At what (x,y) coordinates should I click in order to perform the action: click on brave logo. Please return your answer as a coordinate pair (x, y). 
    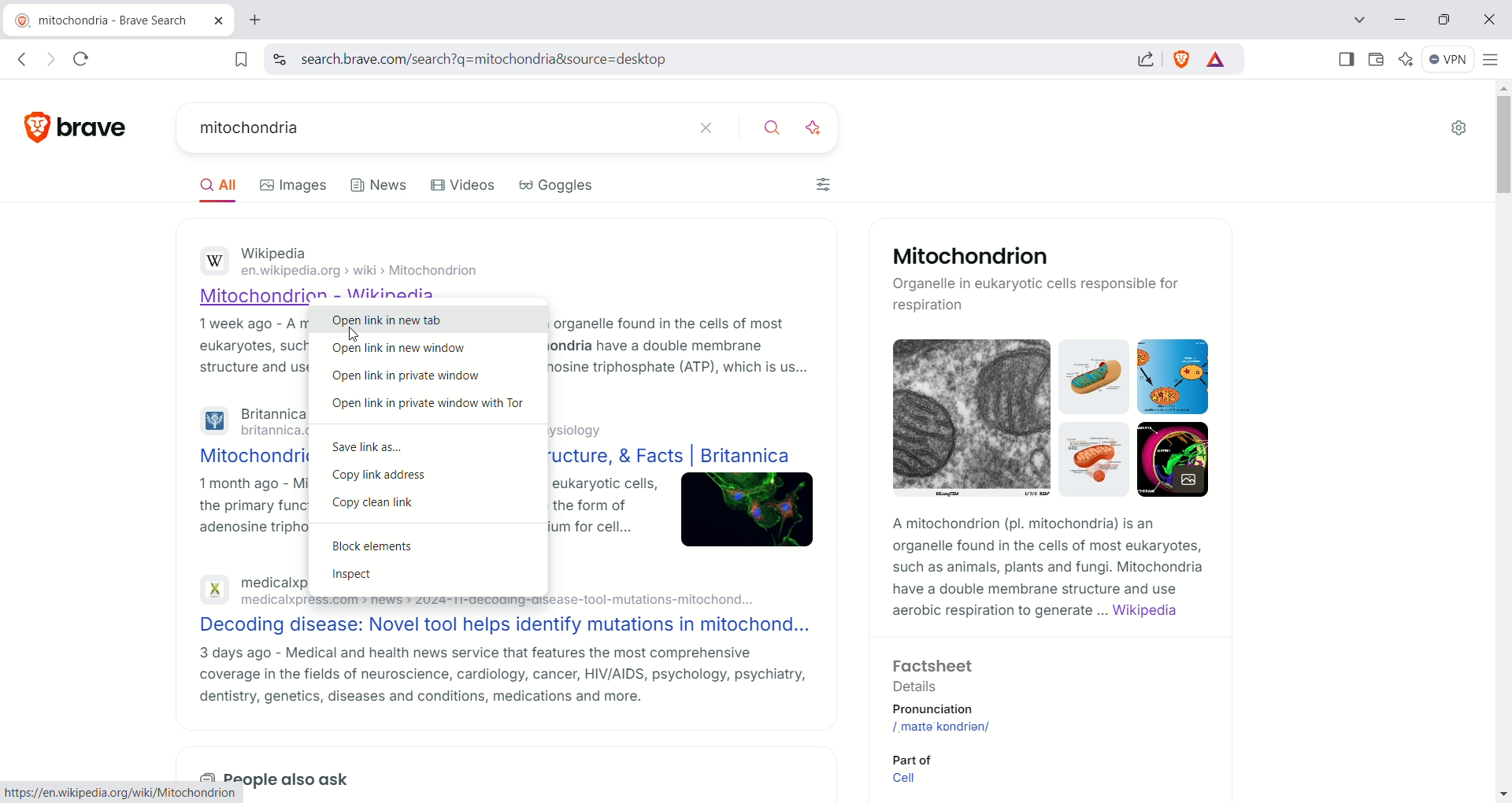
    Looking at the image, I should click on (27, 128).